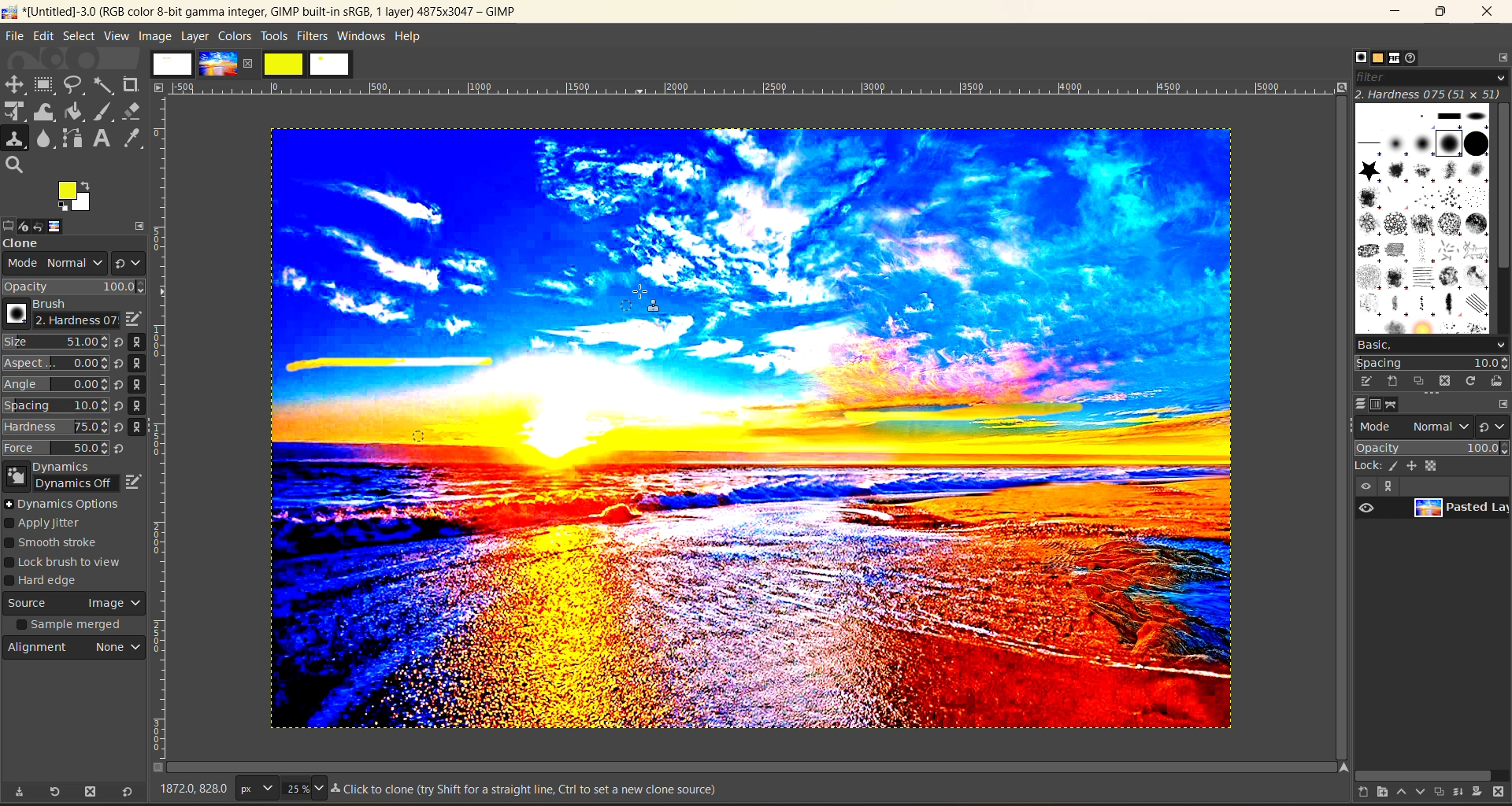 The width and height of the screenshot is (1512, 806). Describe the element at coordinates (132, 319) in the screenshot. I see `edit ` at that location.